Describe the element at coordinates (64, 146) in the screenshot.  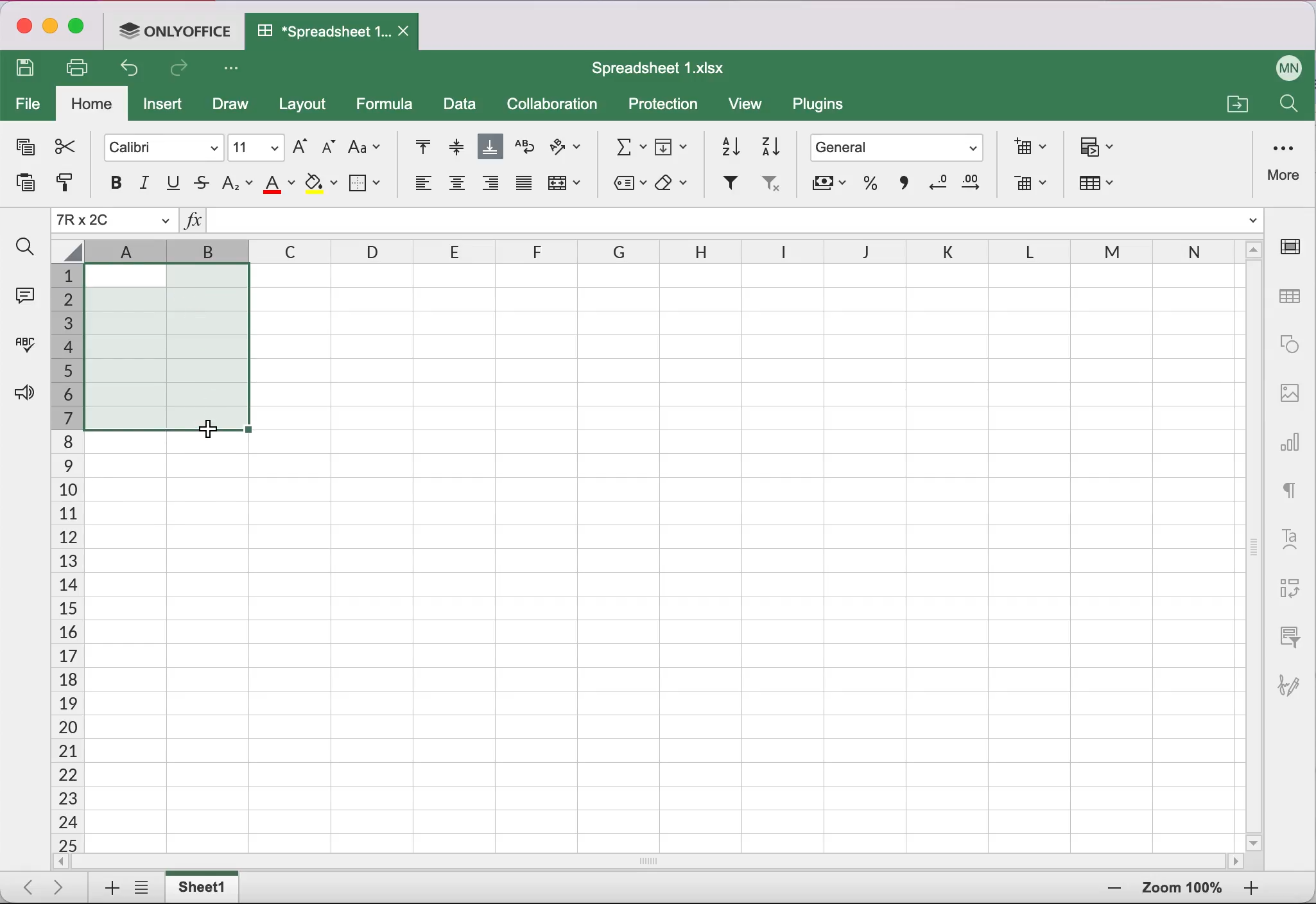
I see `cut` at that location.